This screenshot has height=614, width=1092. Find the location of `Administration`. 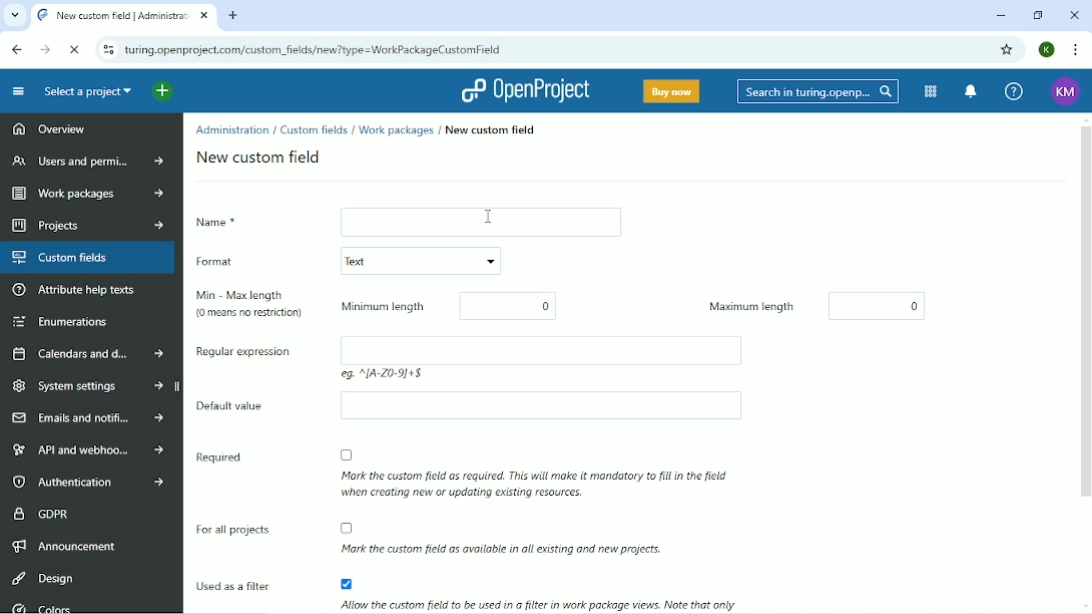

Administration is located at coordinates (232, 130).